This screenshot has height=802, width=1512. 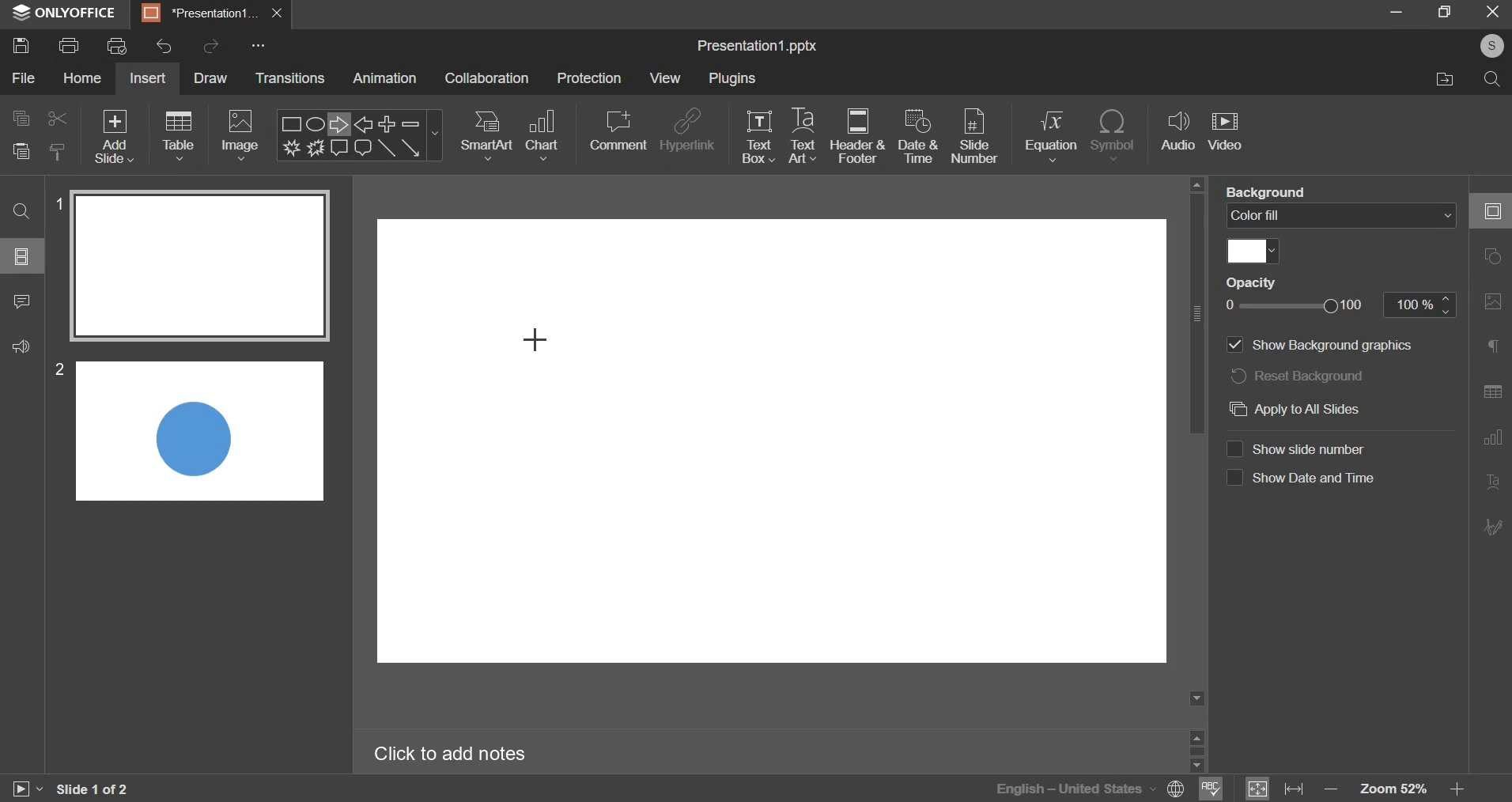 What do you see at coordinates (1302, 377) in the screenshot?
I see `reset background` at bounding box center [1302, 377].